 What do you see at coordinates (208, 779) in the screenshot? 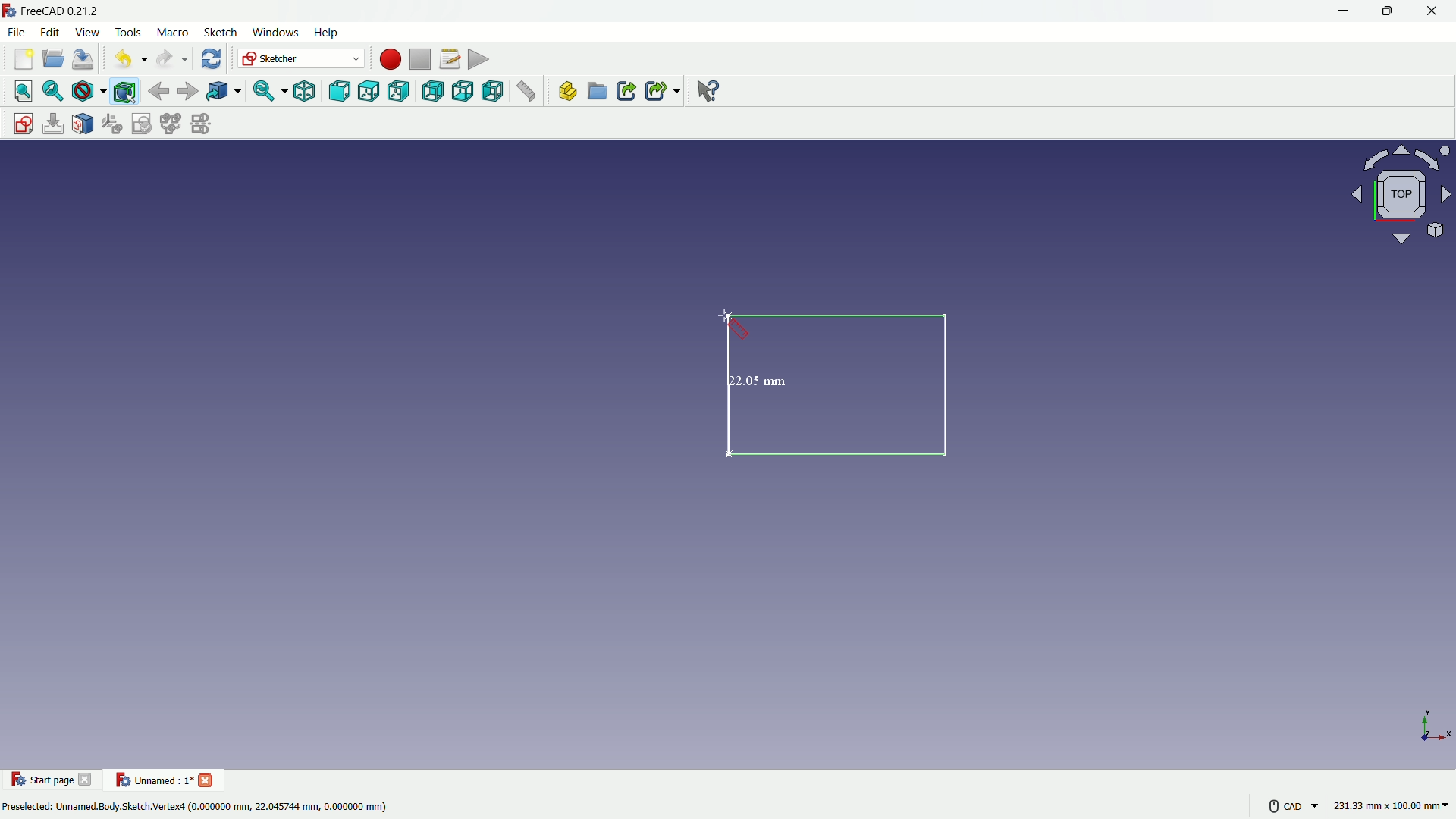
I see `close project` at bounding box center [208, 779].